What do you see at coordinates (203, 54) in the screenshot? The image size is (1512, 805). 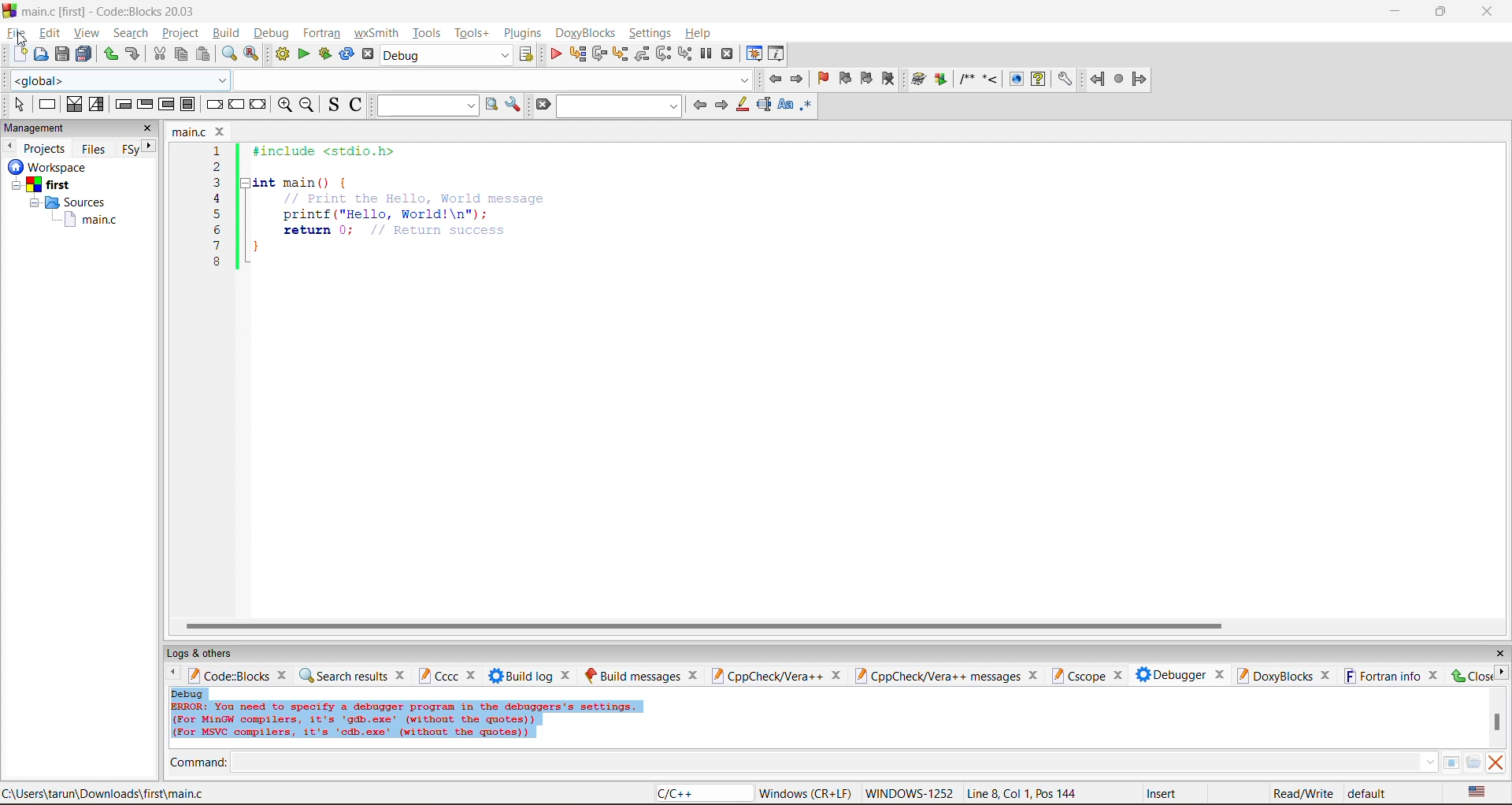 I see `paste` at bounding box center [203, 54].